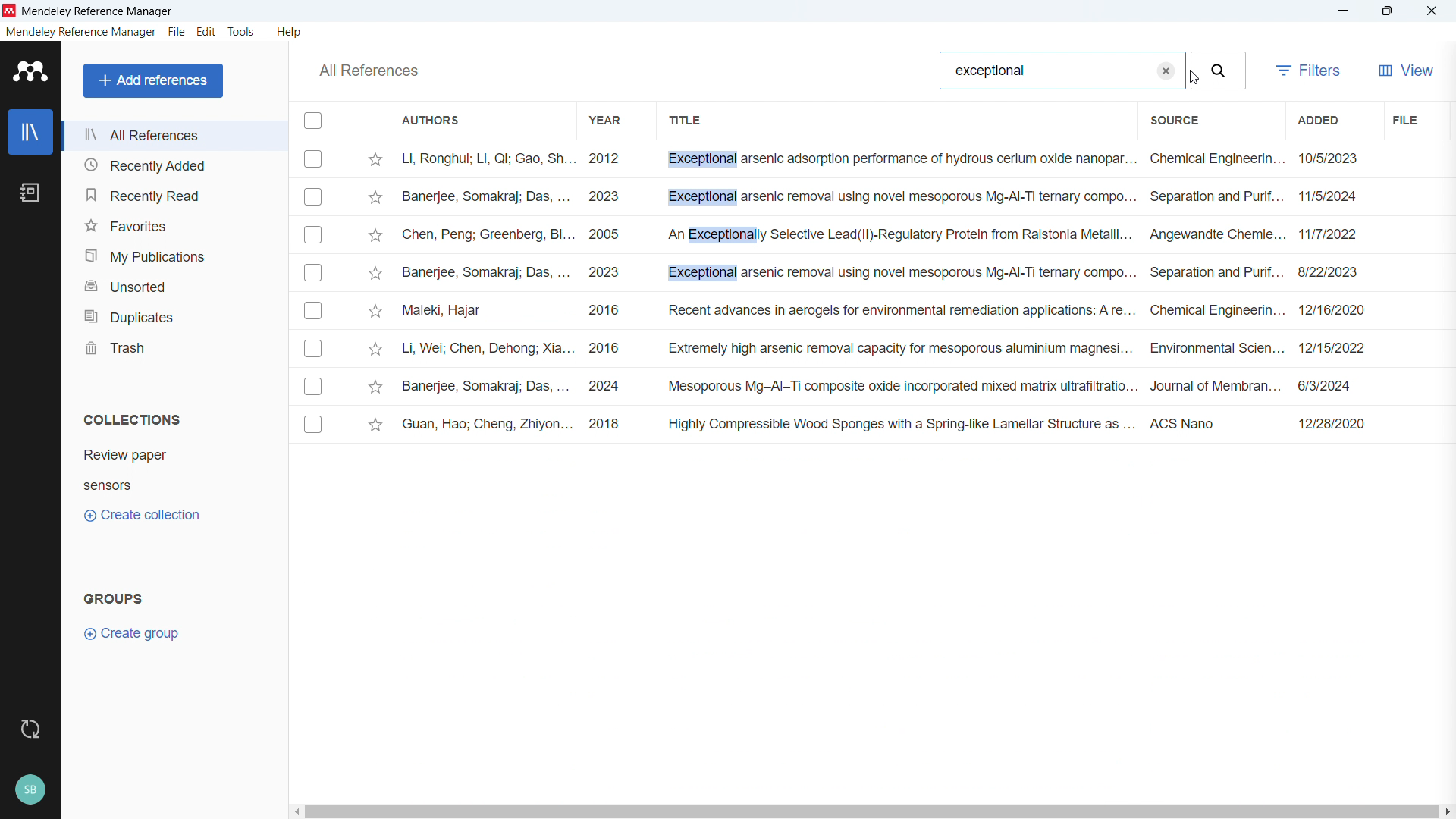 The width and height of the screenshot is (1456, 819). Describe the element at coordinates (153, 80) in the screenshot. I see `add references` at that location.